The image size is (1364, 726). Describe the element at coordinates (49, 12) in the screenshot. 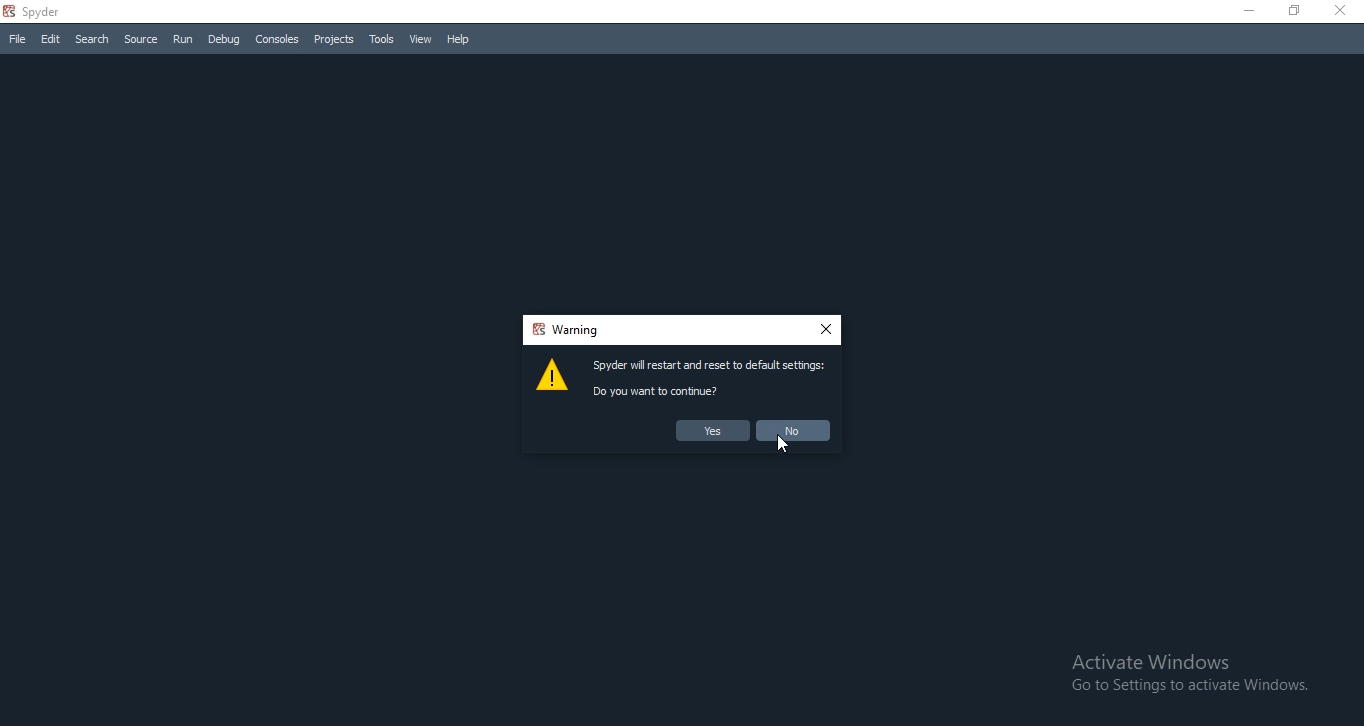

I see `spyder` at that location.